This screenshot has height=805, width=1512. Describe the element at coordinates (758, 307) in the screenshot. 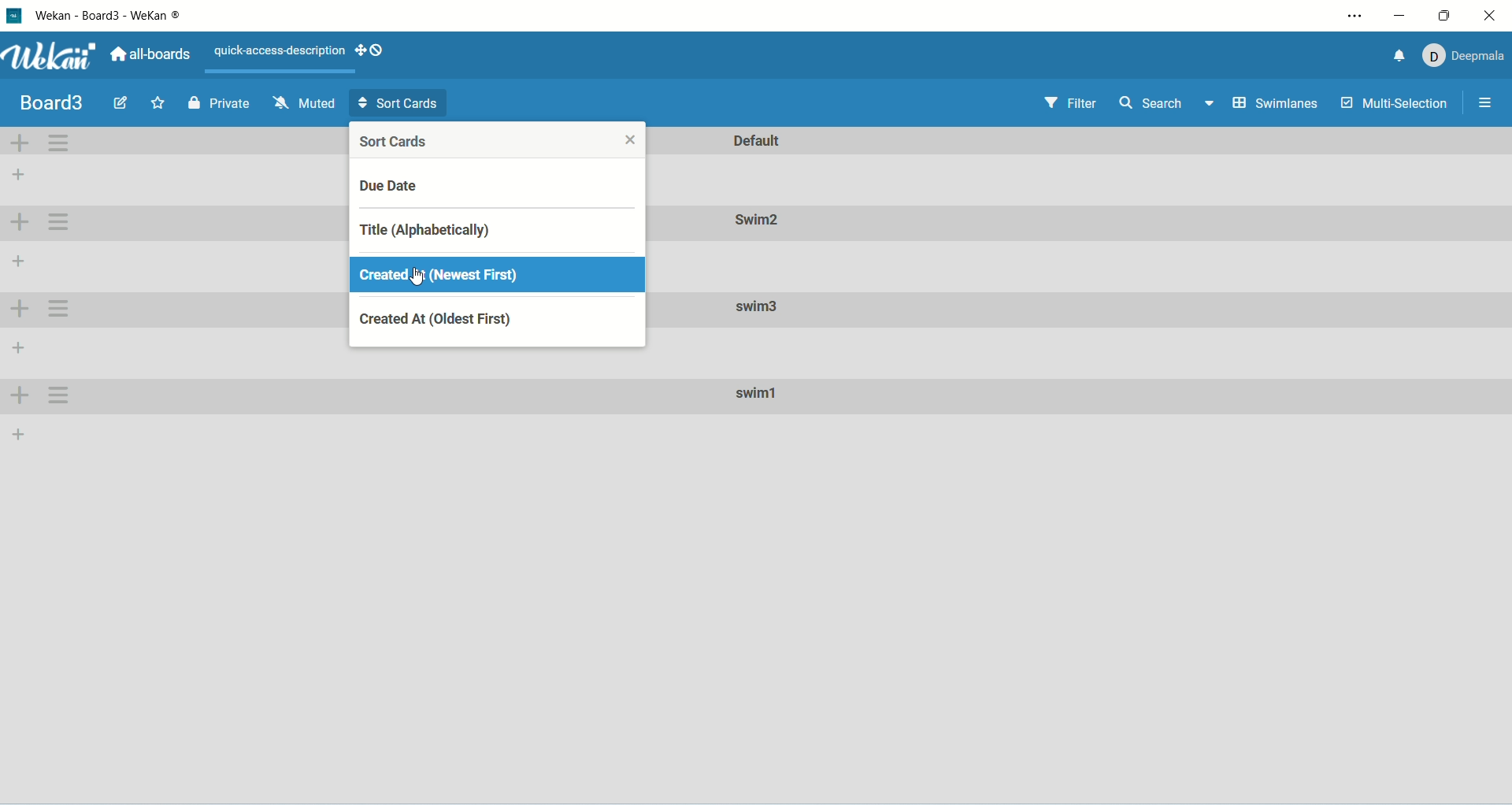

I see `swim3` at that location.